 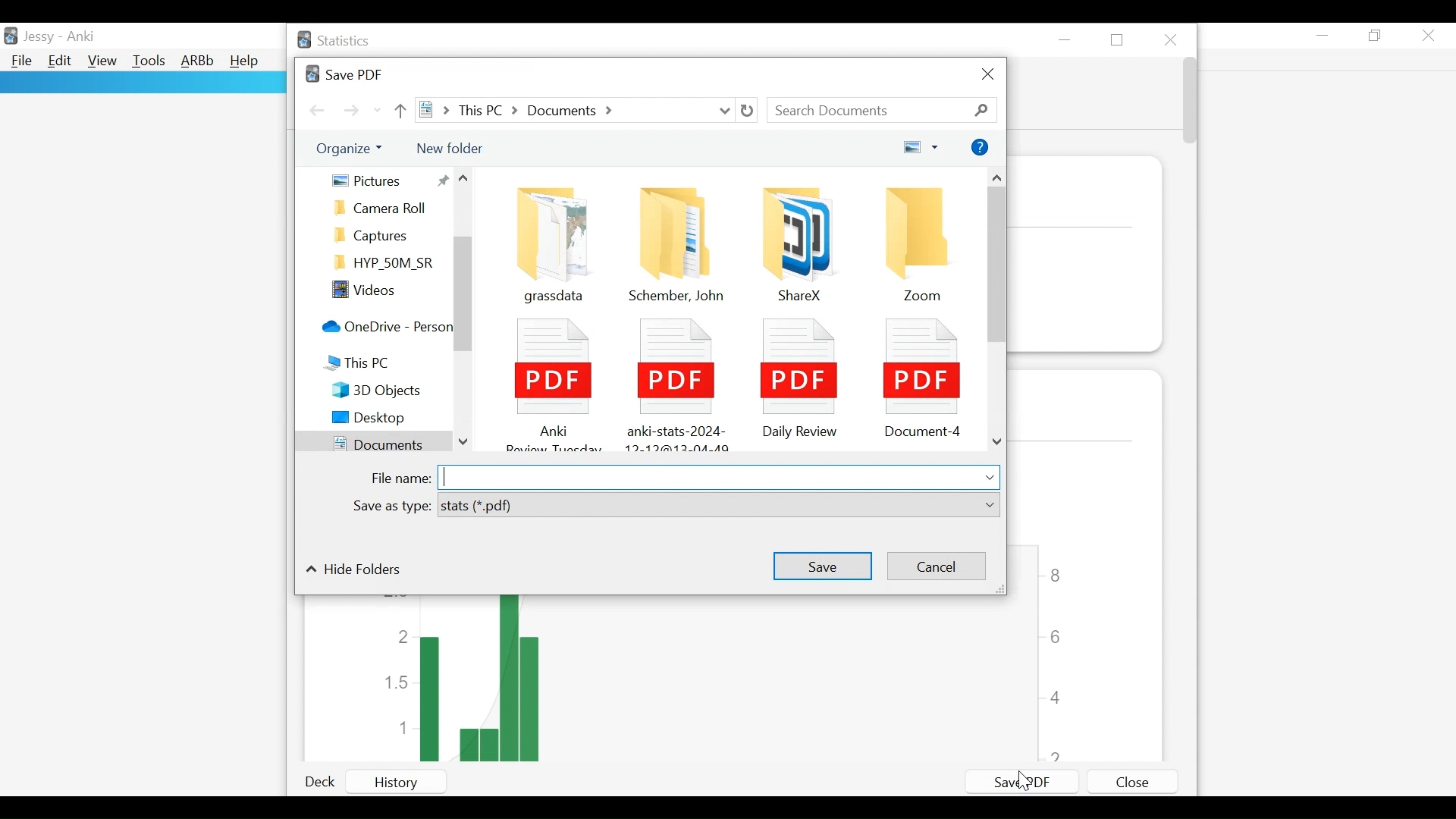 What do you see at coordinates (791, 240) in the screenshot?
I see `Folder` at bounding box center [791, 240].